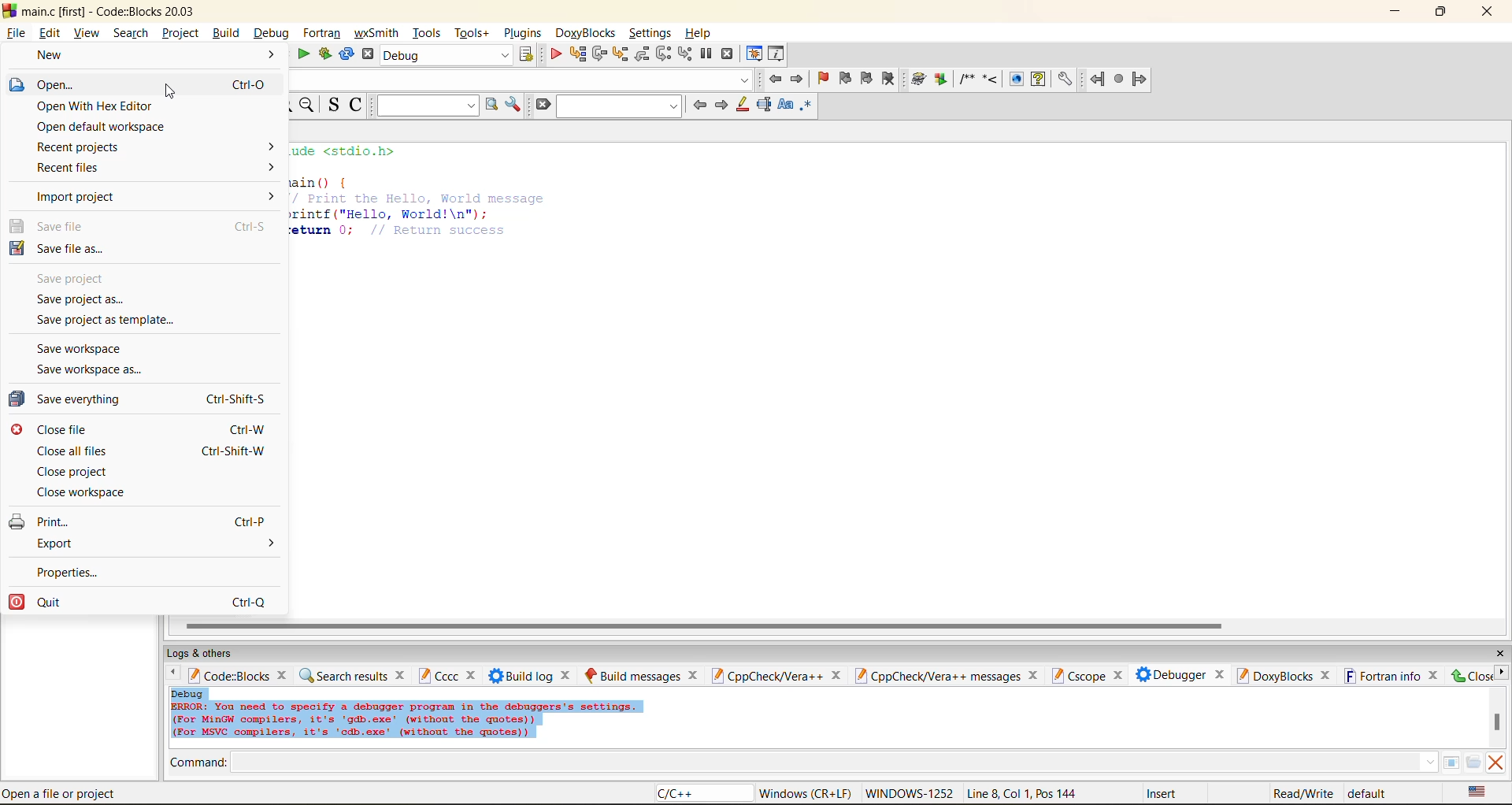  Describe the element at coordinates (102, 494) in the screenshot. I see `close workspace` at that location.